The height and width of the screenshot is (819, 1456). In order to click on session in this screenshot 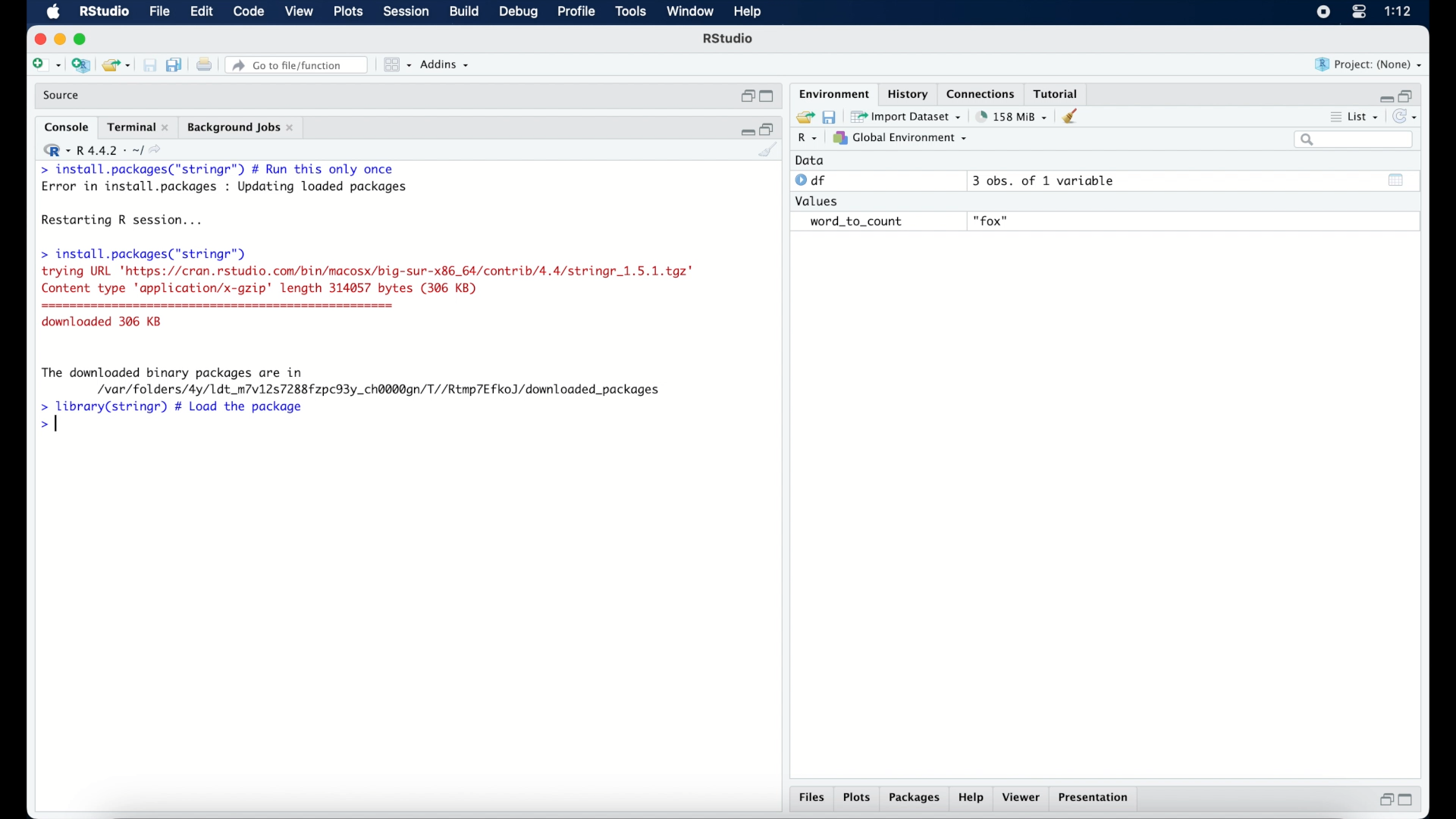, I will do `click(405, 12)`.